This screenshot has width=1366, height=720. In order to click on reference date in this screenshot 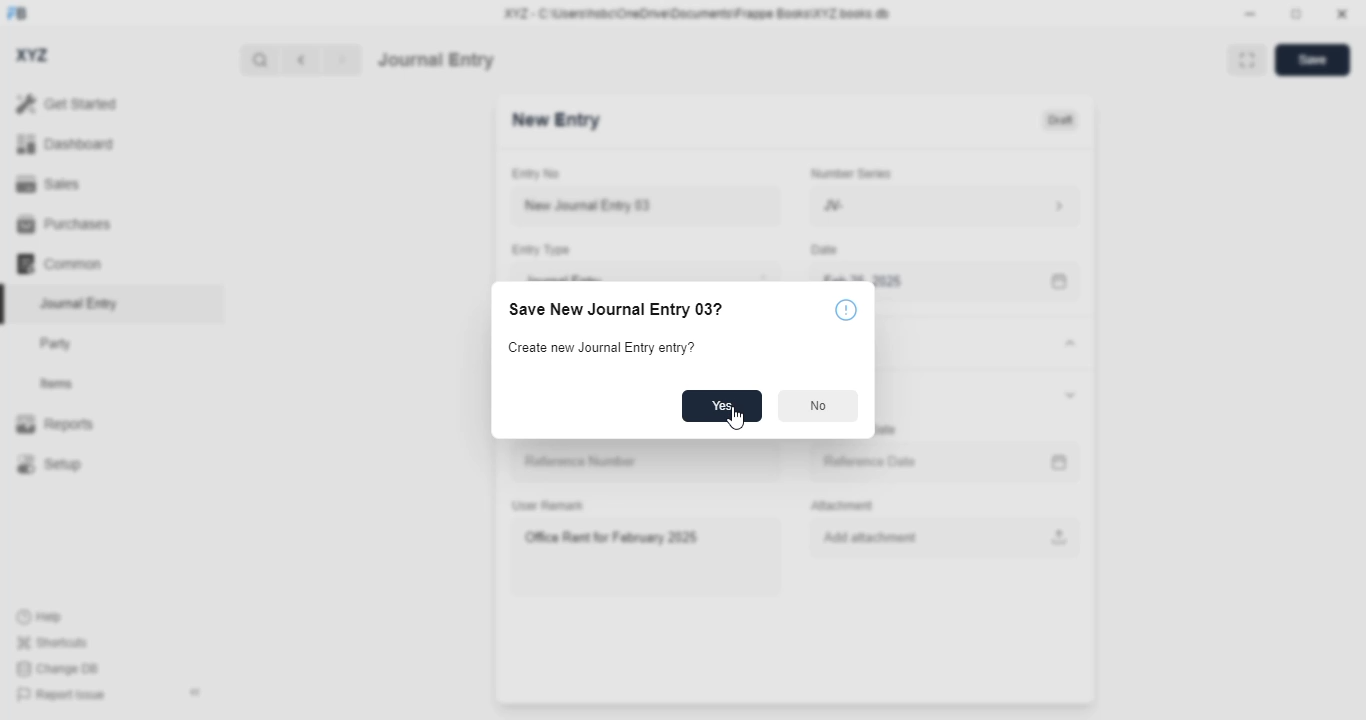, I will do `click(902, 462)`.